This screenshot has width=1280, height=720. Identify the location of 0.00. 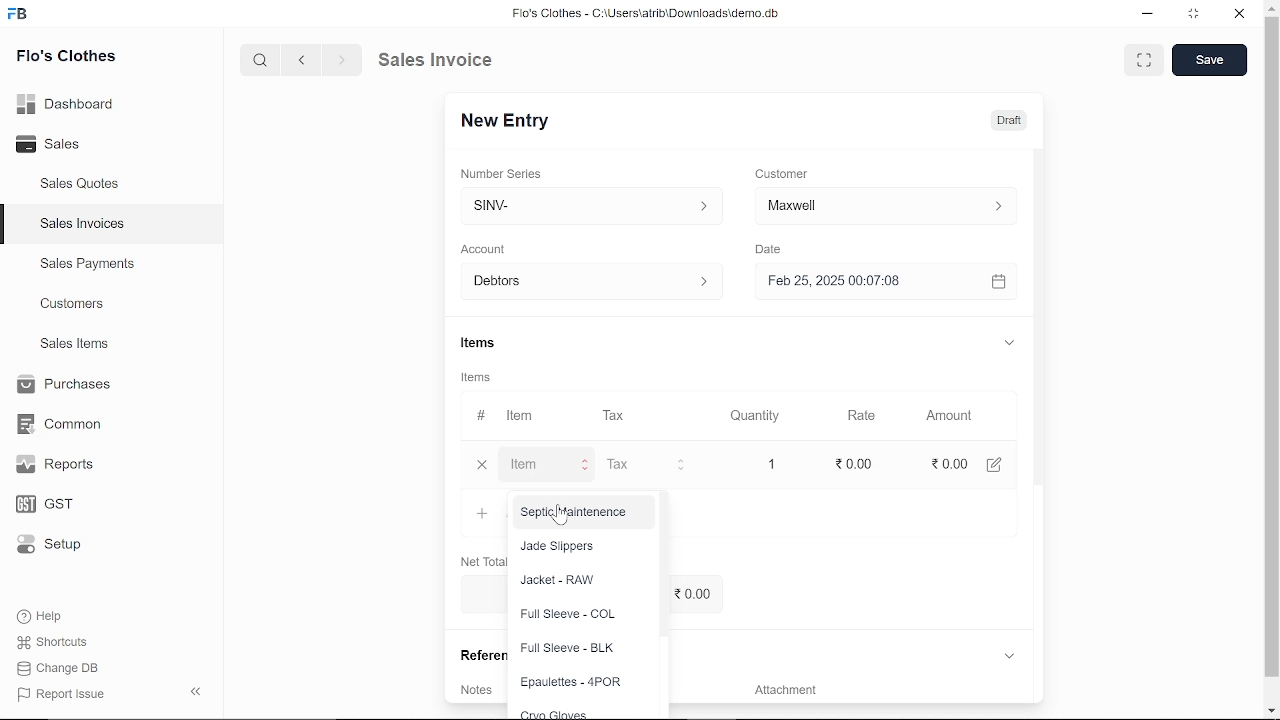
(955, 463).